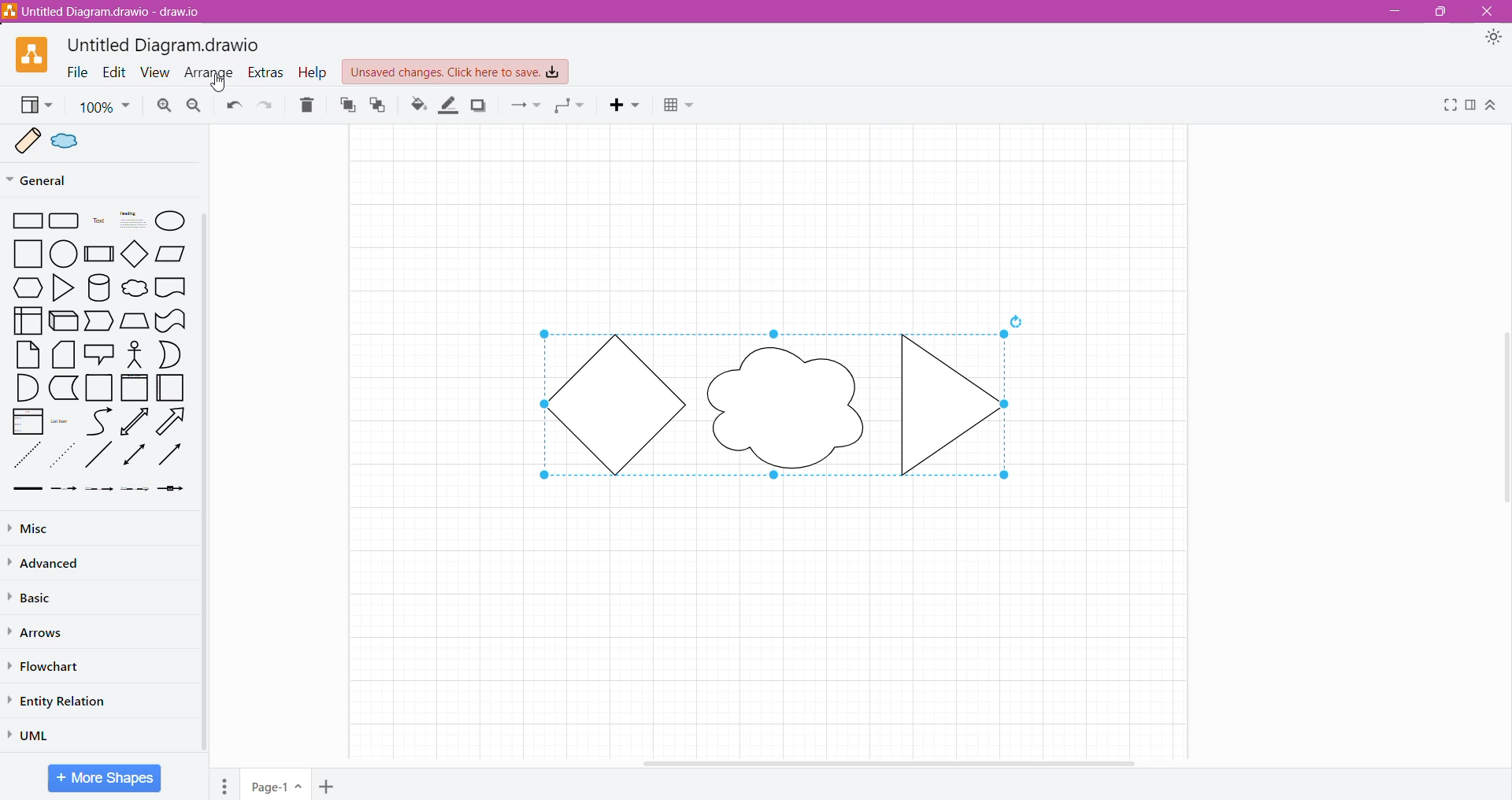 The height and width of the screenshot is (800, 1512). Describe the element at coordinates (450, 106) in the screenshot. I see `Line Color` at that location.